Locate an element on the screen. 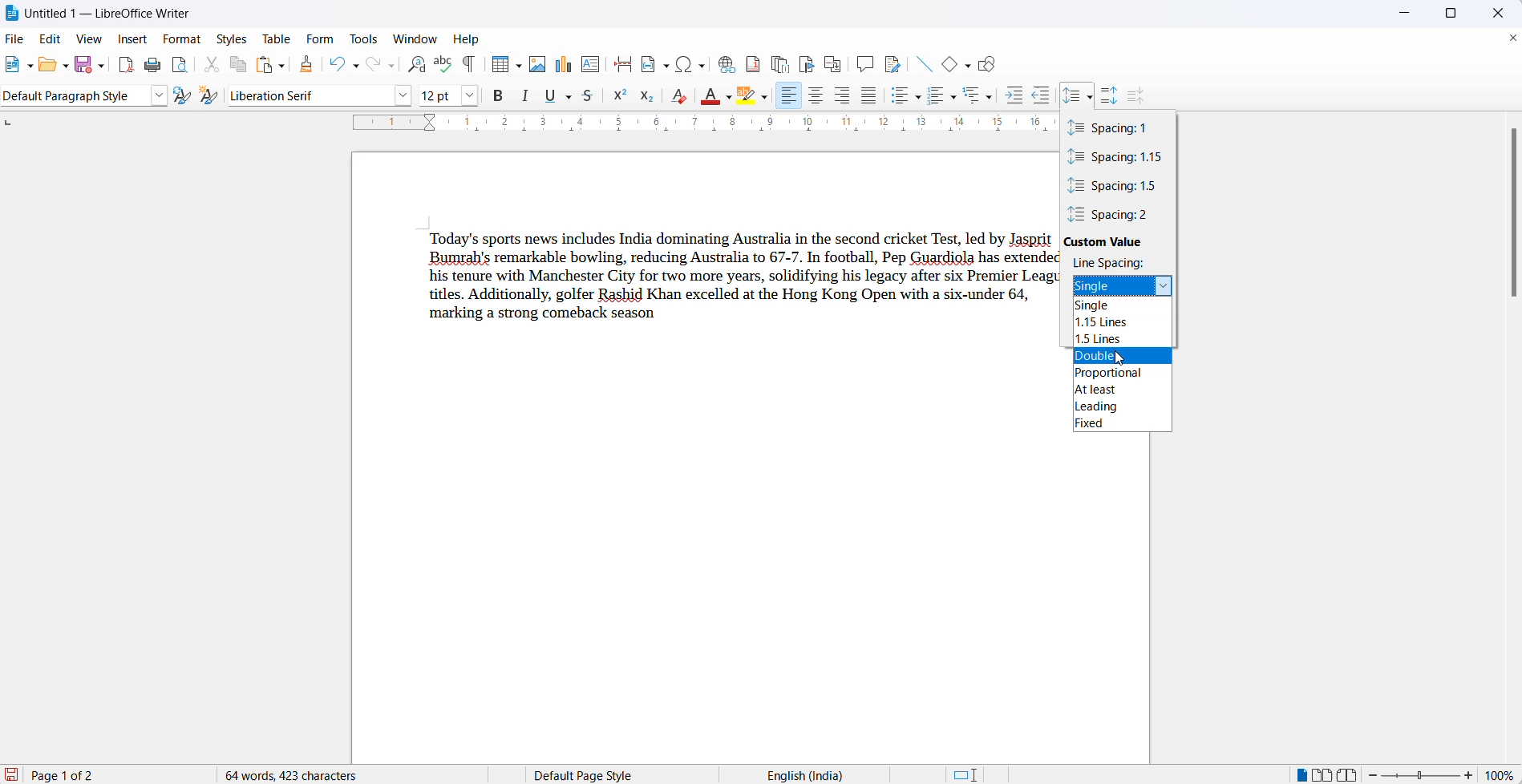 This screenshot has height=784, width=1522. close document is located at coordinates (1512, 38).